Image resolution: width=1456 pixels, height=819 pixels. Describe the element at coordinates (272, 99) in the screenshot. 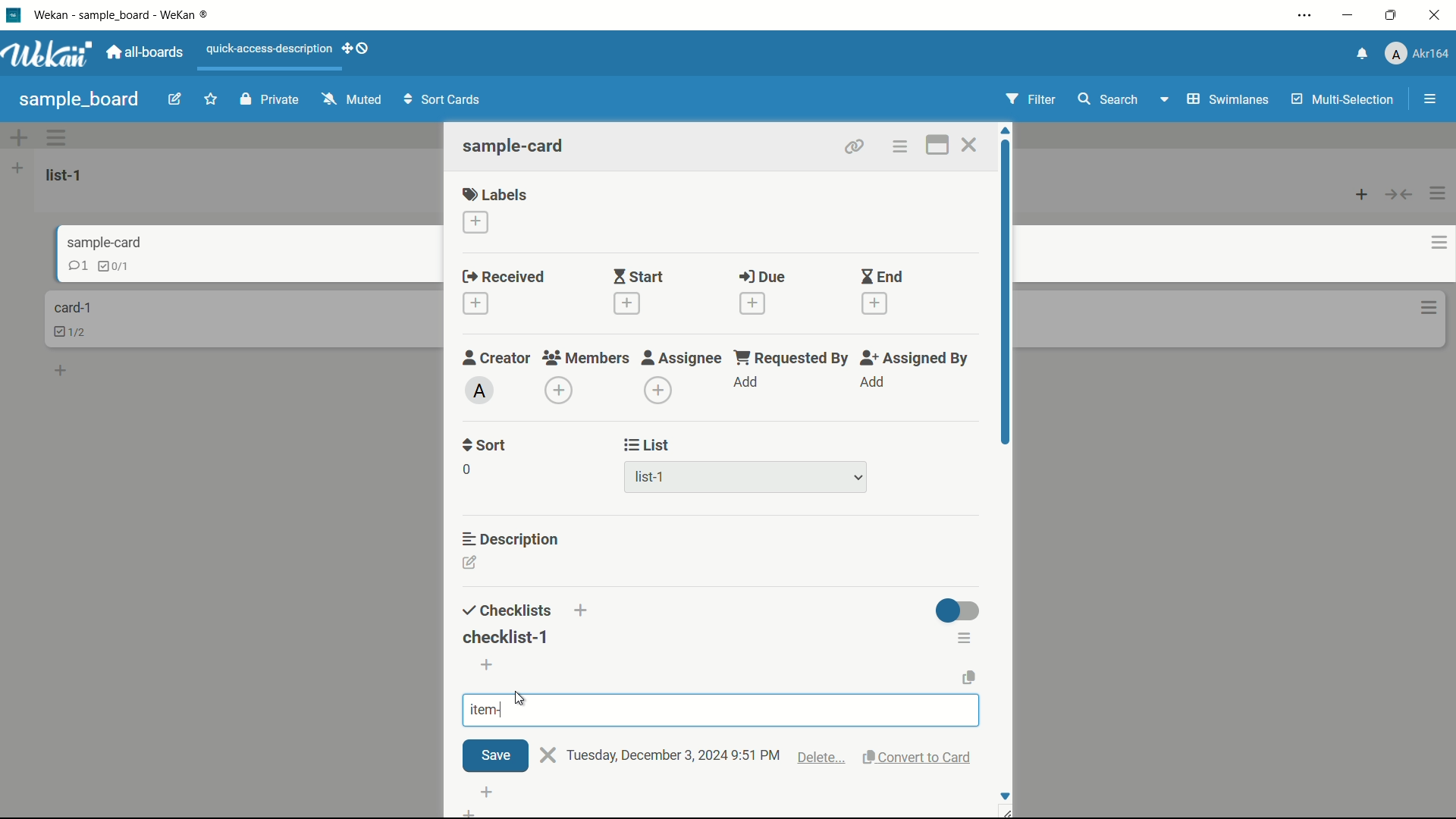

I see `private` at that location.